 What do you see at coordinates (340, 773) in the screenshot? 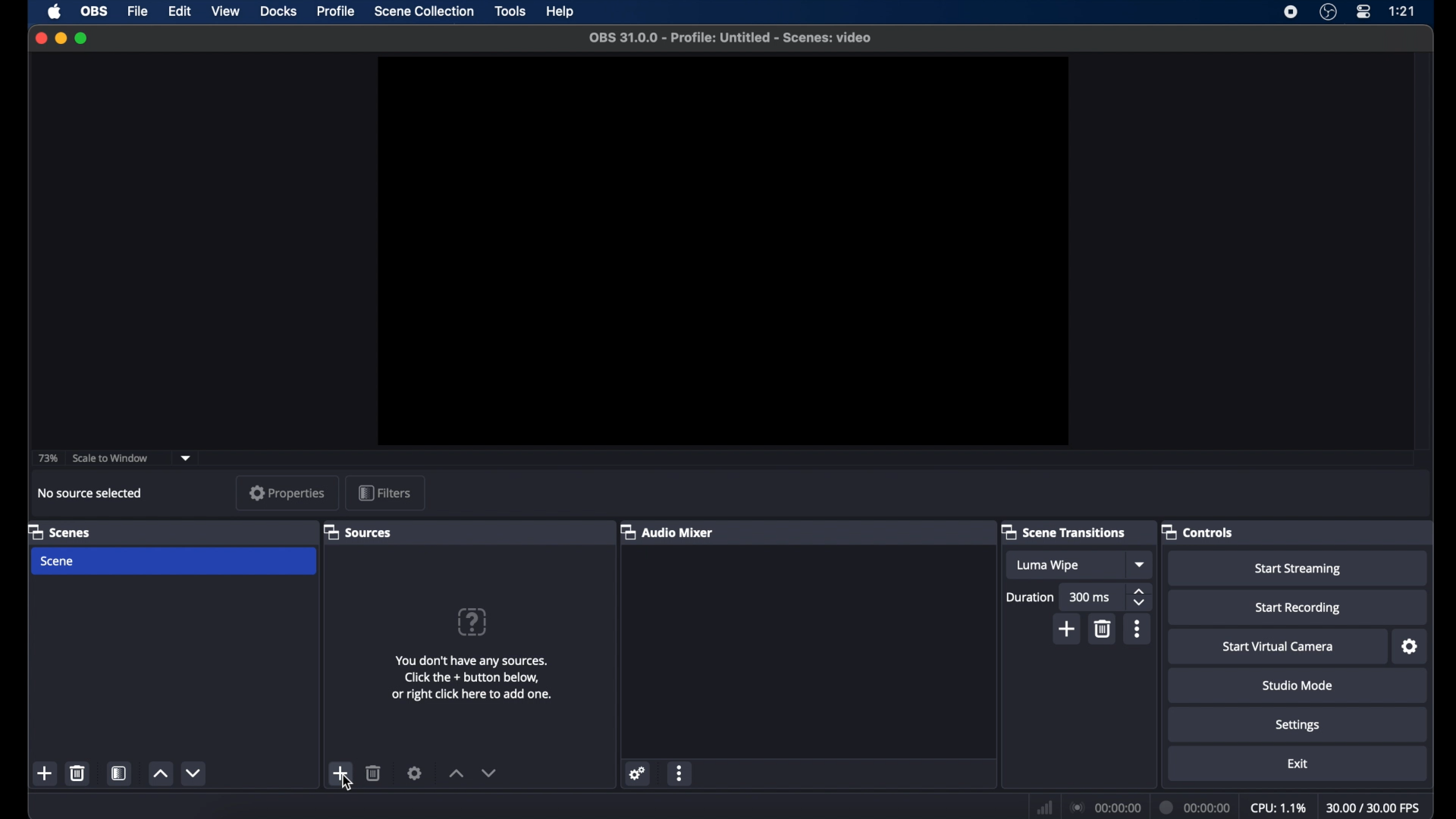
I see `add` at bounding box center [340, 773].